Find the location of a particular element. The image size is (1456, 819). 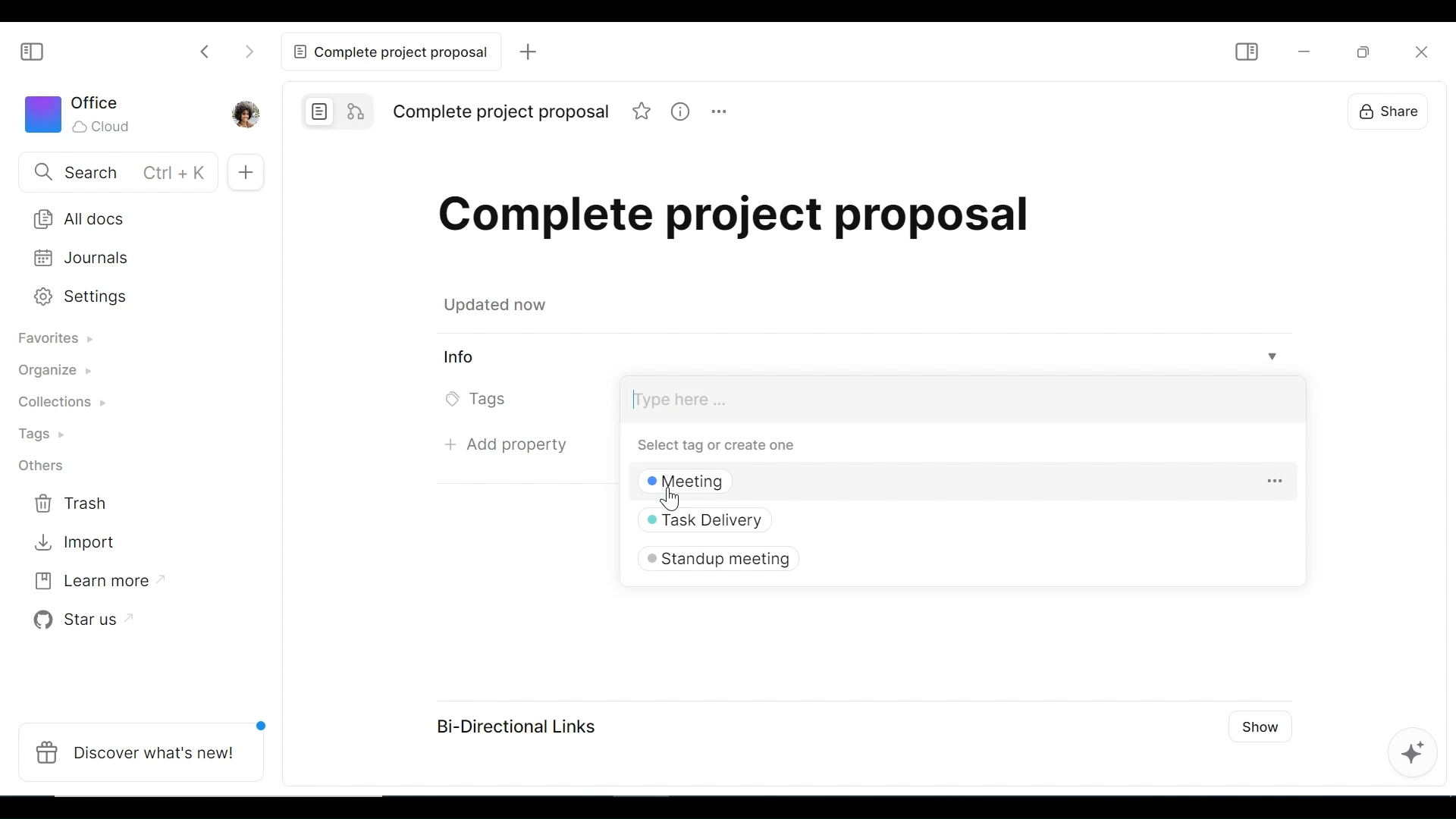

more options is located at coordinates (1277, 482).